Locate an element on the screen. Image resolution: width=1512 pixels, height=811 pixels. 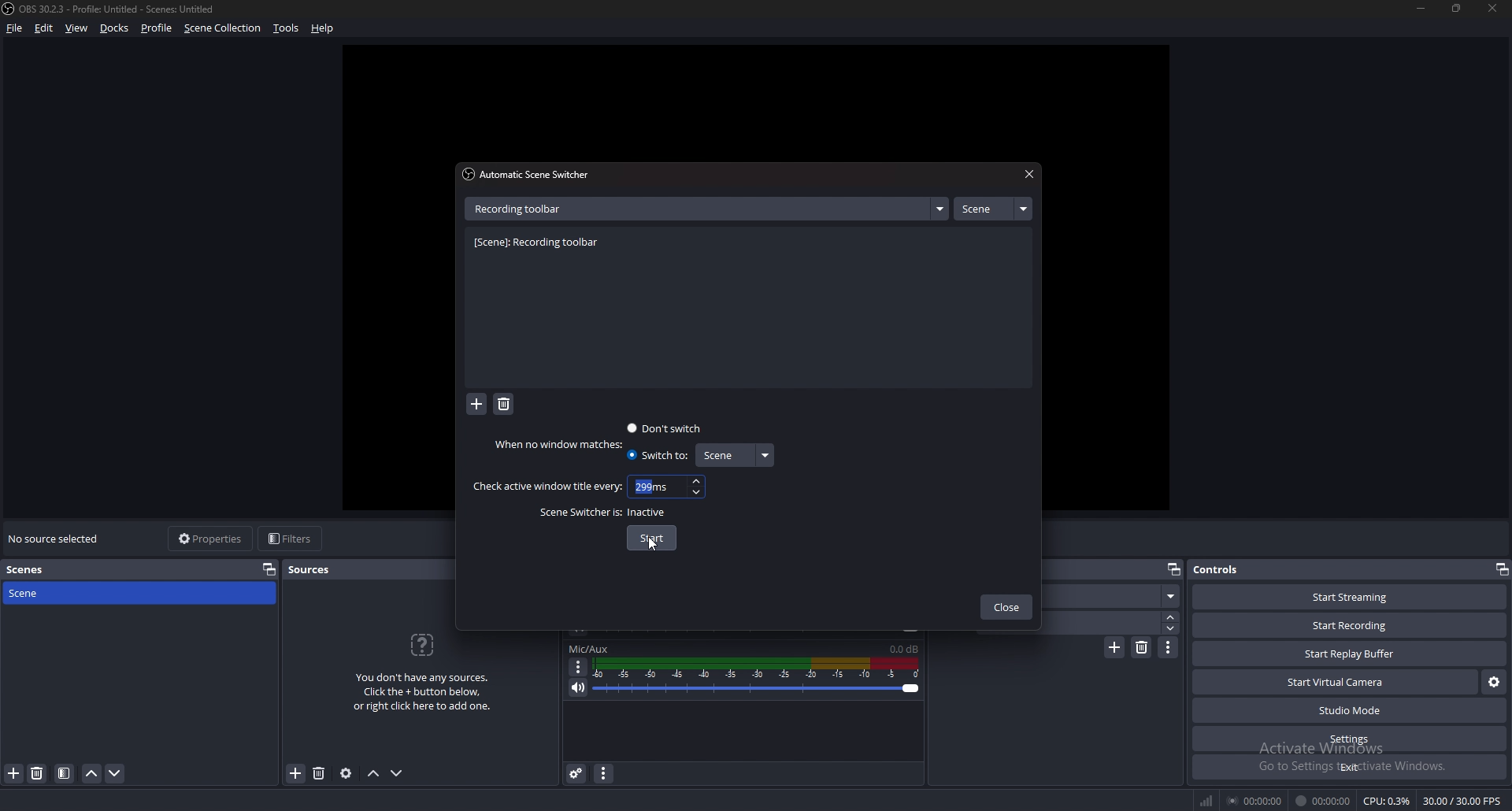
view is located at coordinates (77, 28).